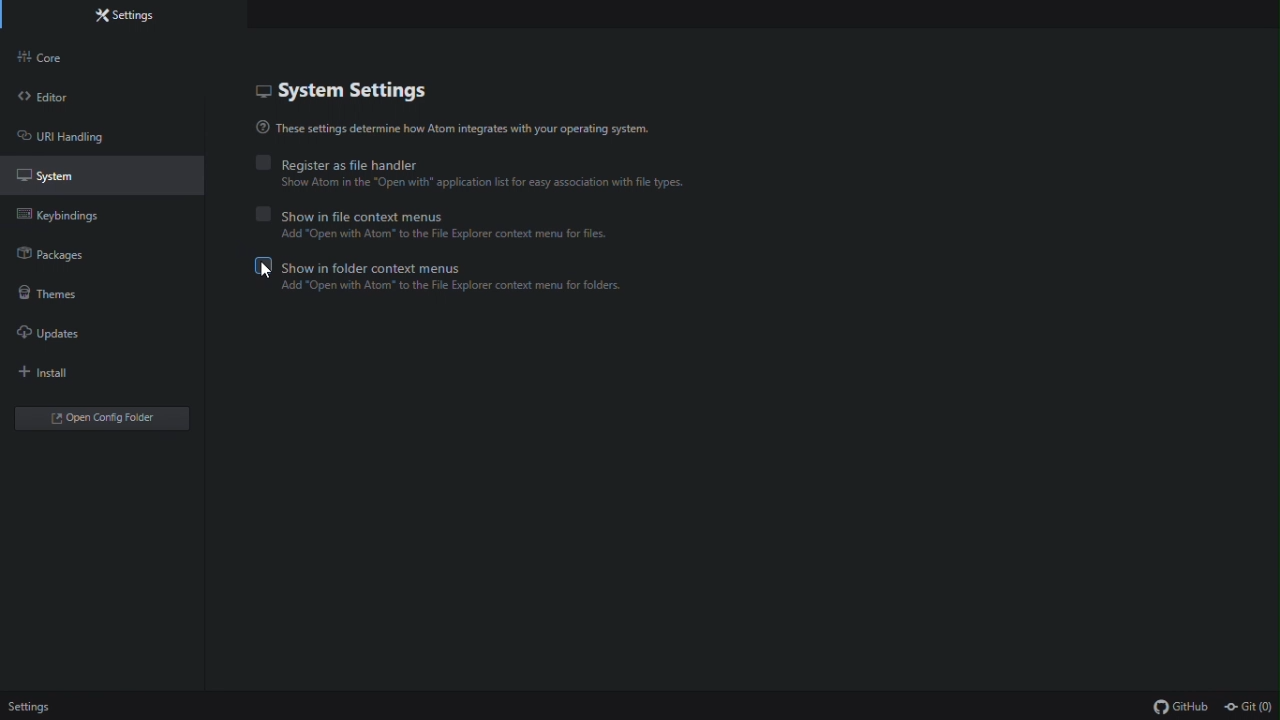 This screenshot has width=1280, height=720. What do you see at coordinates (114, 53) in the screenshot?
I see `Core ` at bounding box center [114, 53].